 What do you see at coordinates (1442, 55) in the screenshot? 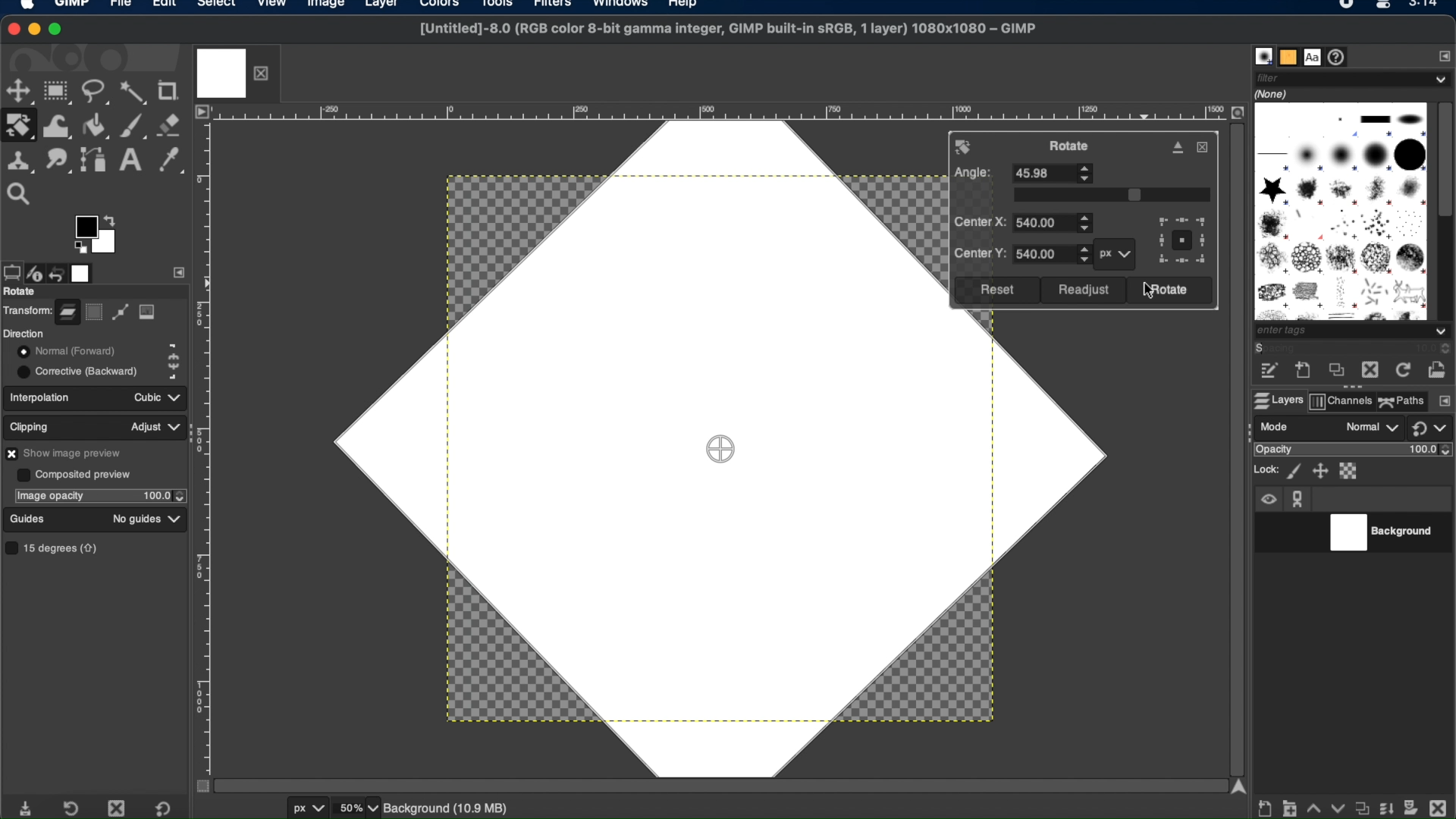
I see `configure this tab` at bounding box center [1442, 55].